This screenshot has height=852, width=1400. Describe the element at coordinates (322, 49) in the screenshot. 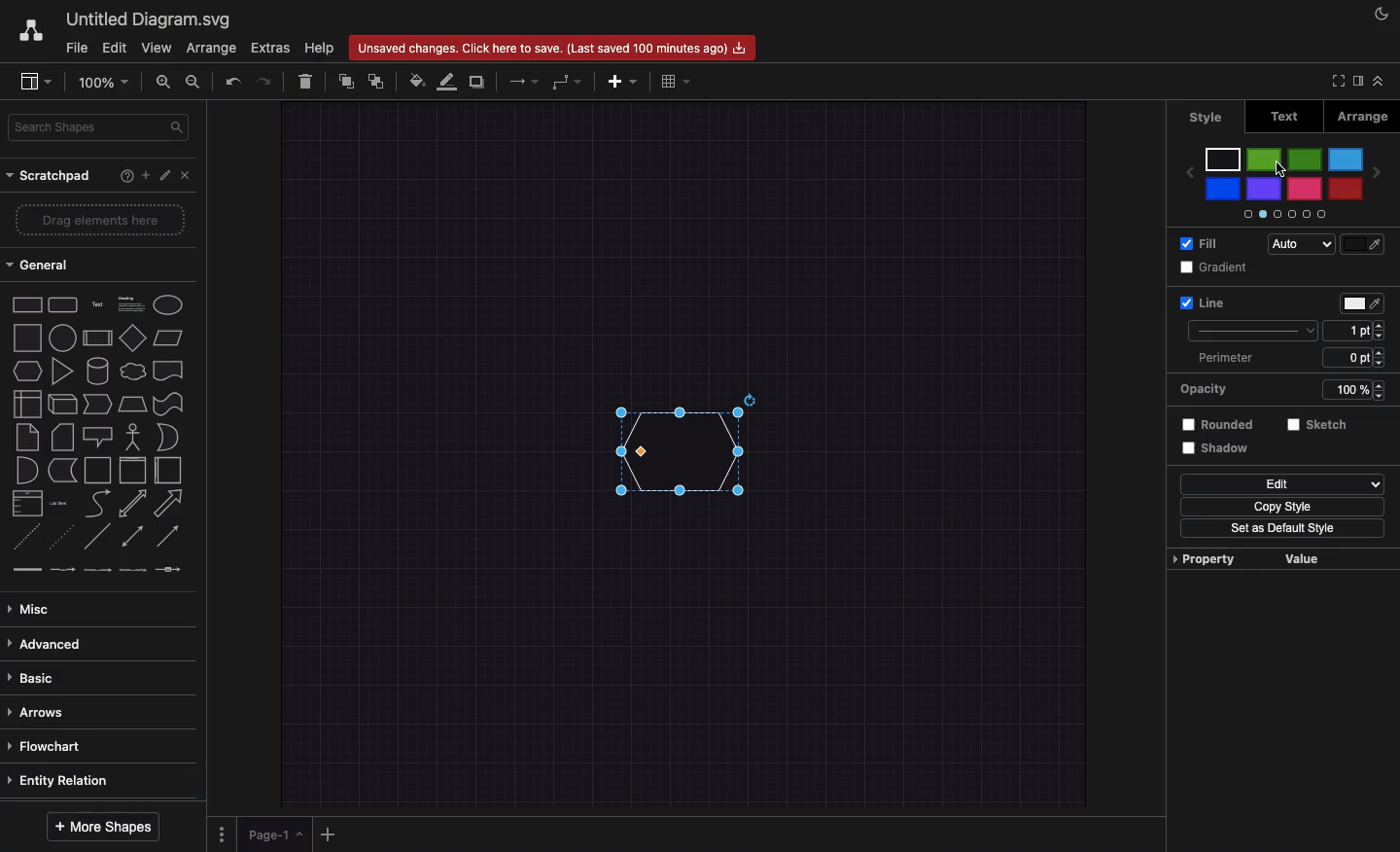

I see `Help` at that location.